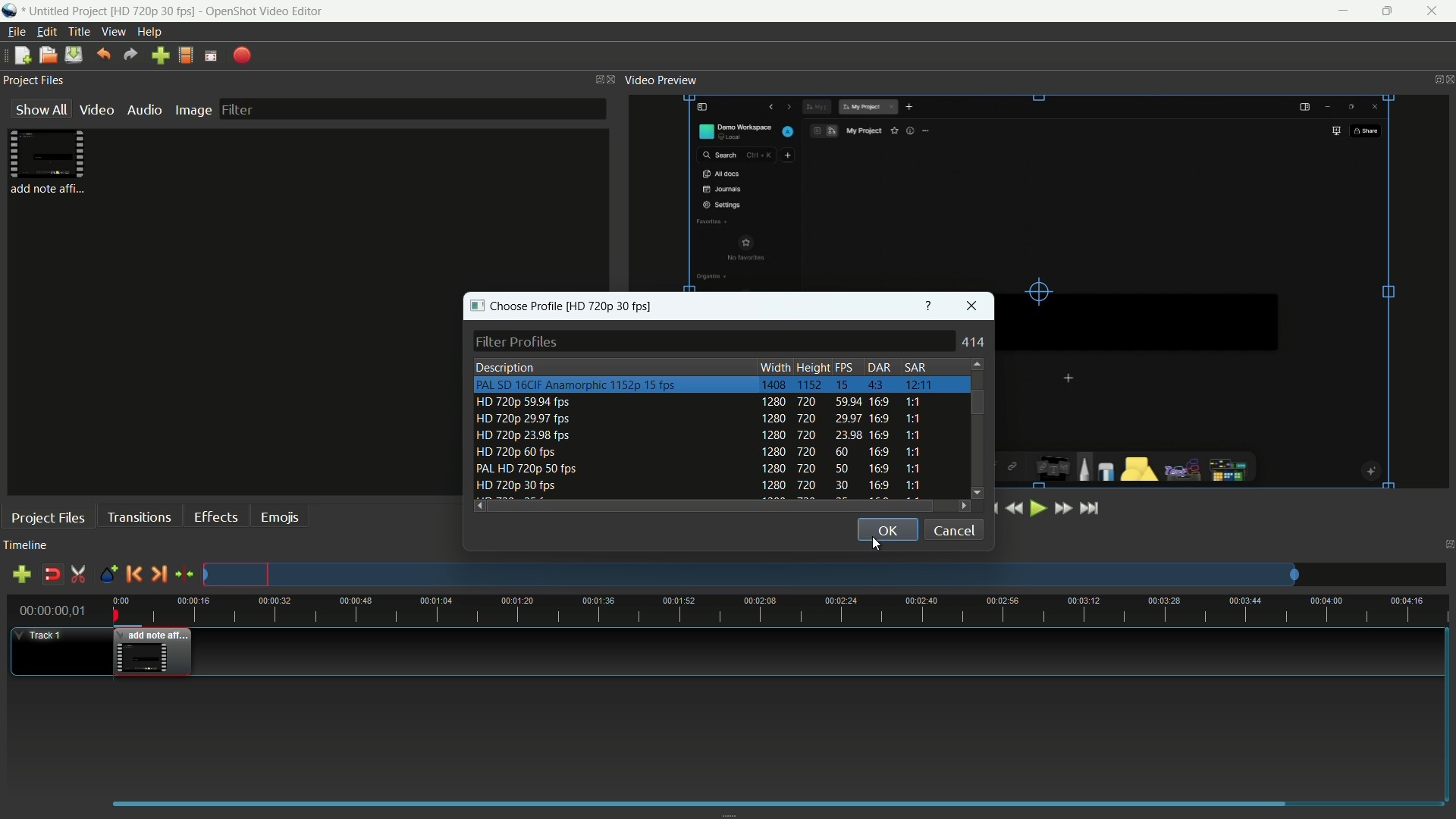 The image size is (1456, 819). What do you see at coordinates (776, 368) in the screenshot?
I see `width` at bounding box center [776, 368].